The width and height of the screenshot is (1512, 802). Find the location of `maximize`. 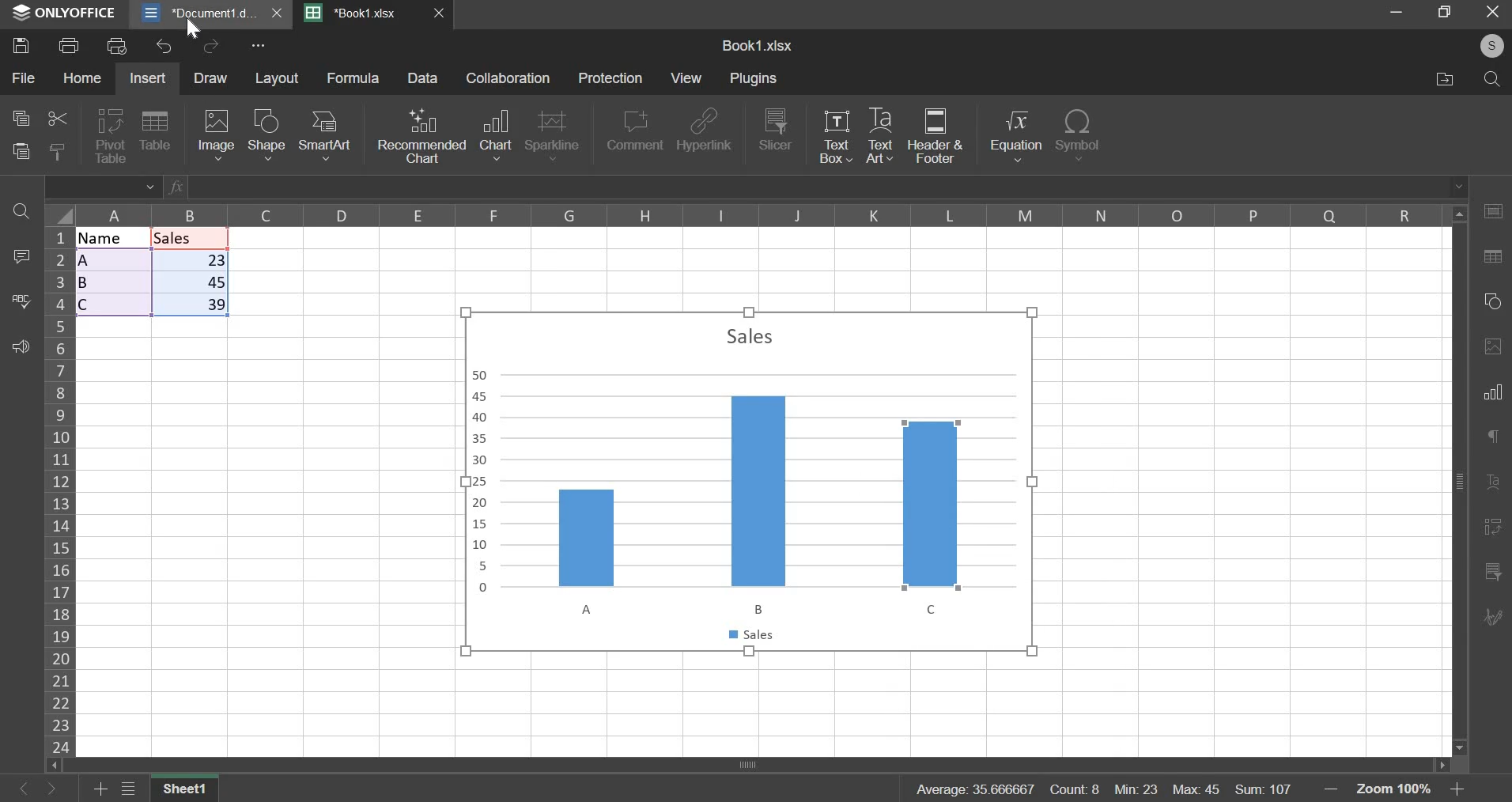

maximize is located at coordinates (1445, 16).